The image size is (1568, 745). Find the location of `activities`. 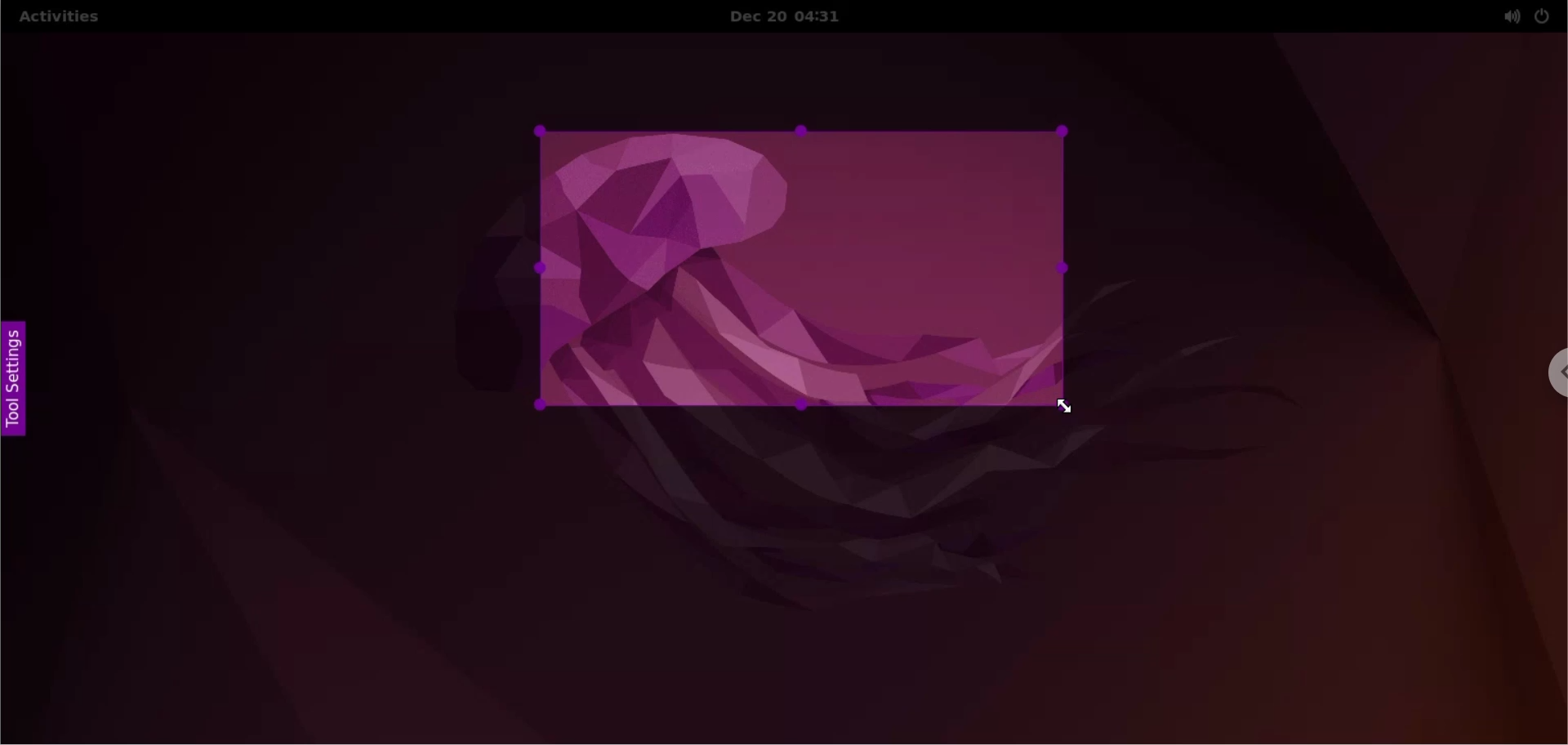

activities is located at coordinates (65, 16).